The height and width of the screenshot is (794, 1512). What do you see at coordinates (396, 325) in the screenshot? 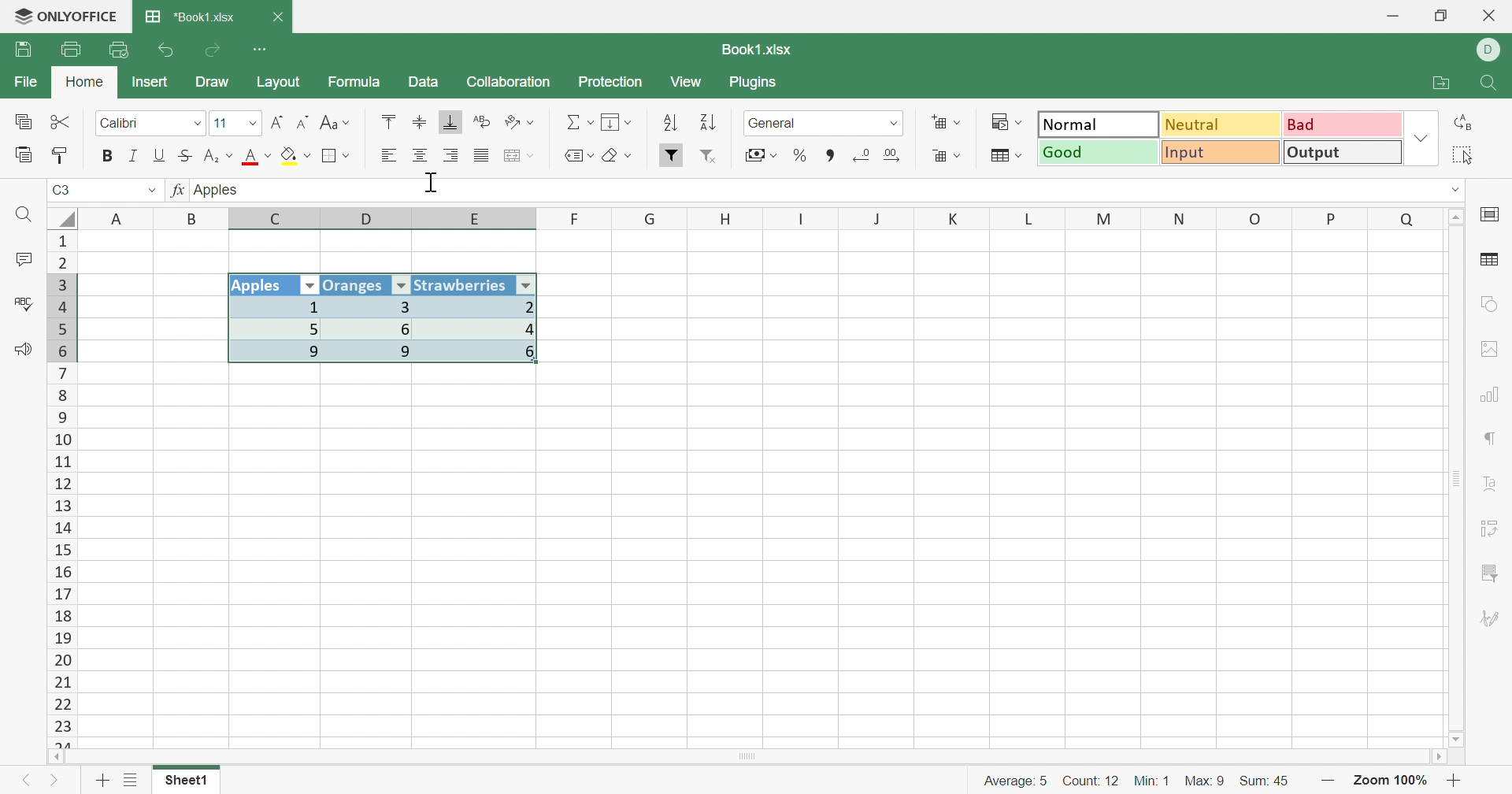
I see `Table with borders` at bounding box center [396, 325].